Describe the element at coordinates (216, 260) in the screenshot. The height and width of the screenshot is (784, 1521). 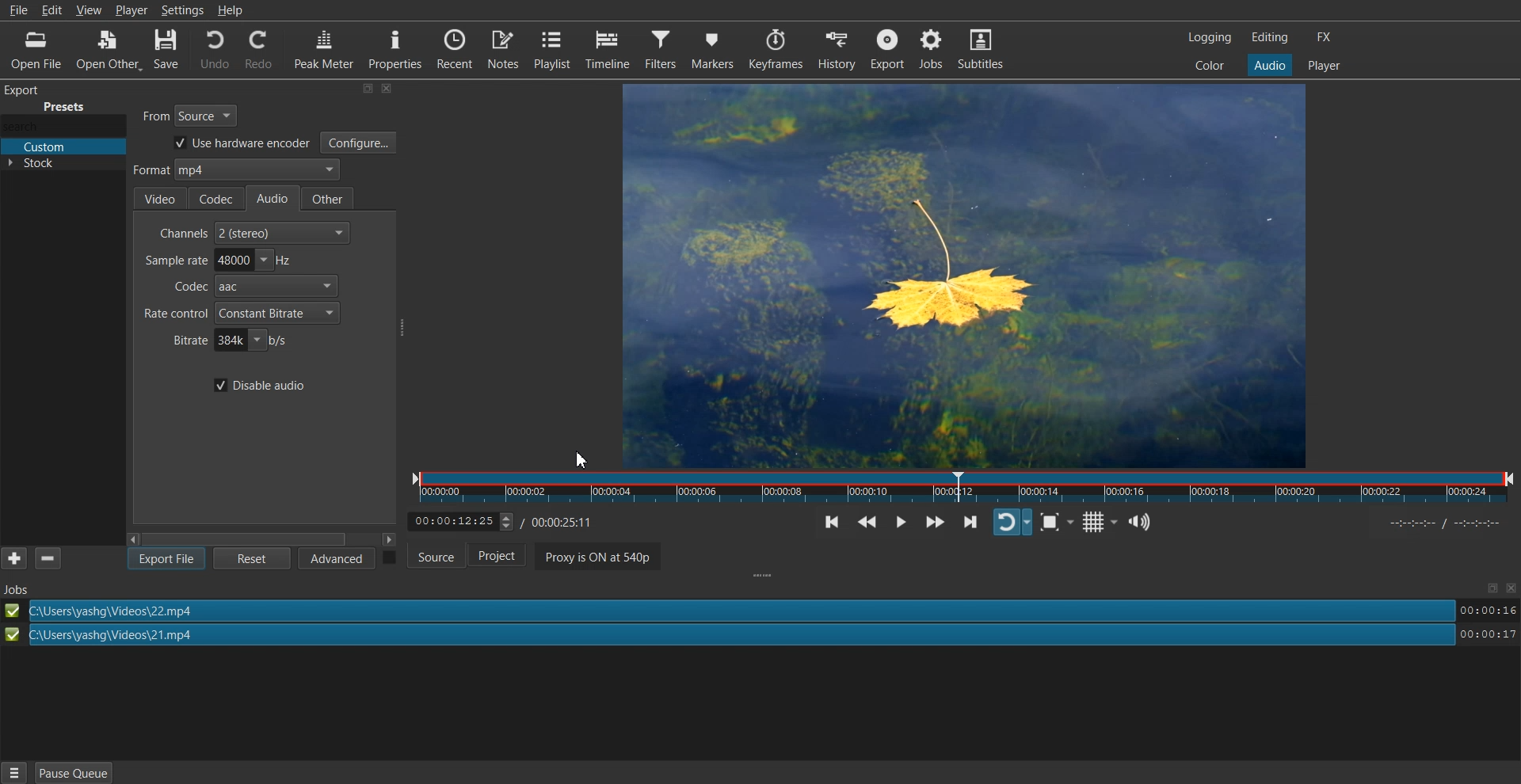
I see `Sample rate adjuster` at that location.